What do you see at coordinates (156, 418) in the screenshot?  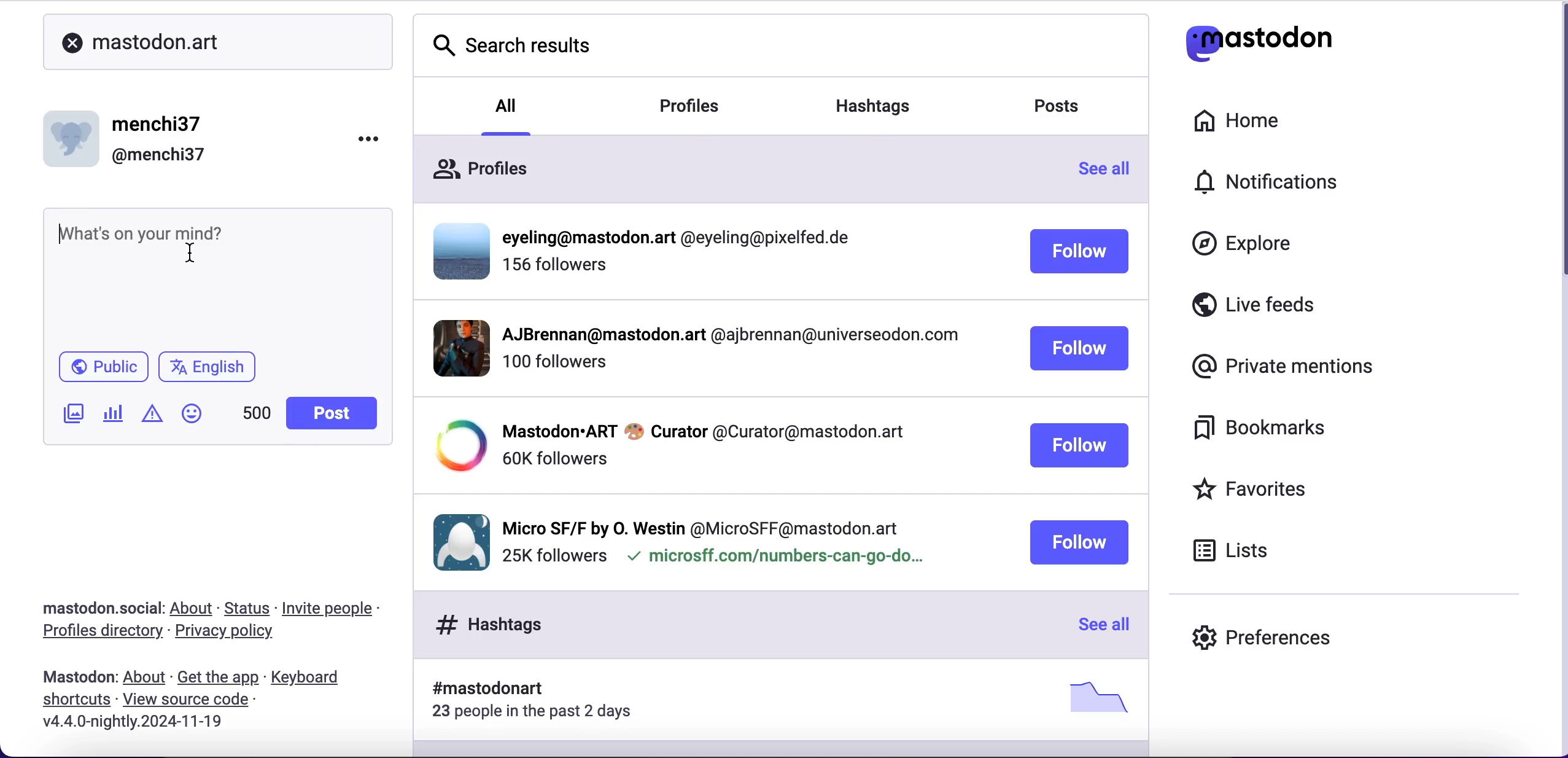 I see `add warning` at bounding box center [156, 418].